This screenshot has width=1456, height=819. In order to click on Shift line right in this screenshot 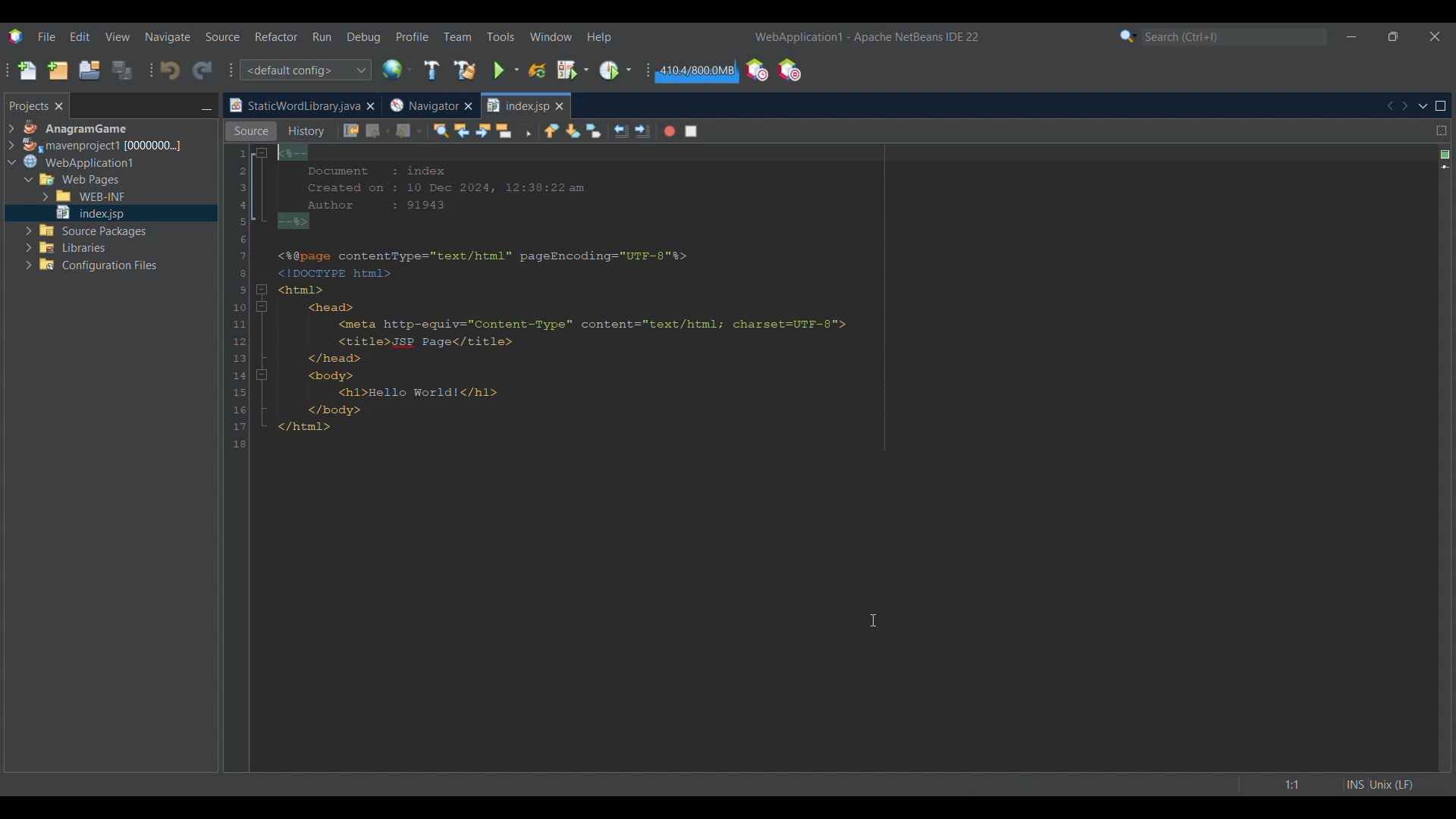, I will do `click(642, 131)`.